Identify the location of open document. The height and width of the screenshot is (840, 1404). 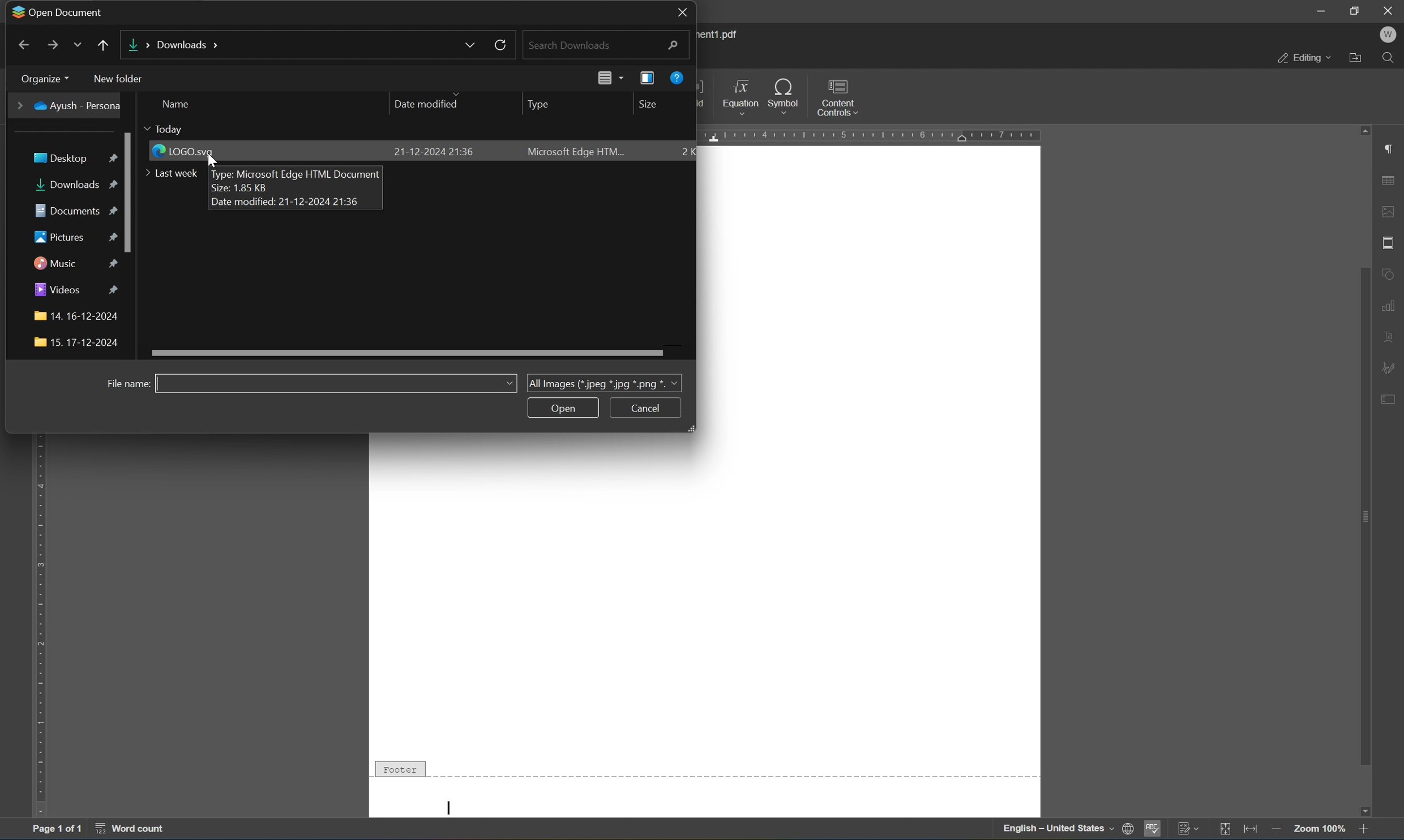
(59, 12).